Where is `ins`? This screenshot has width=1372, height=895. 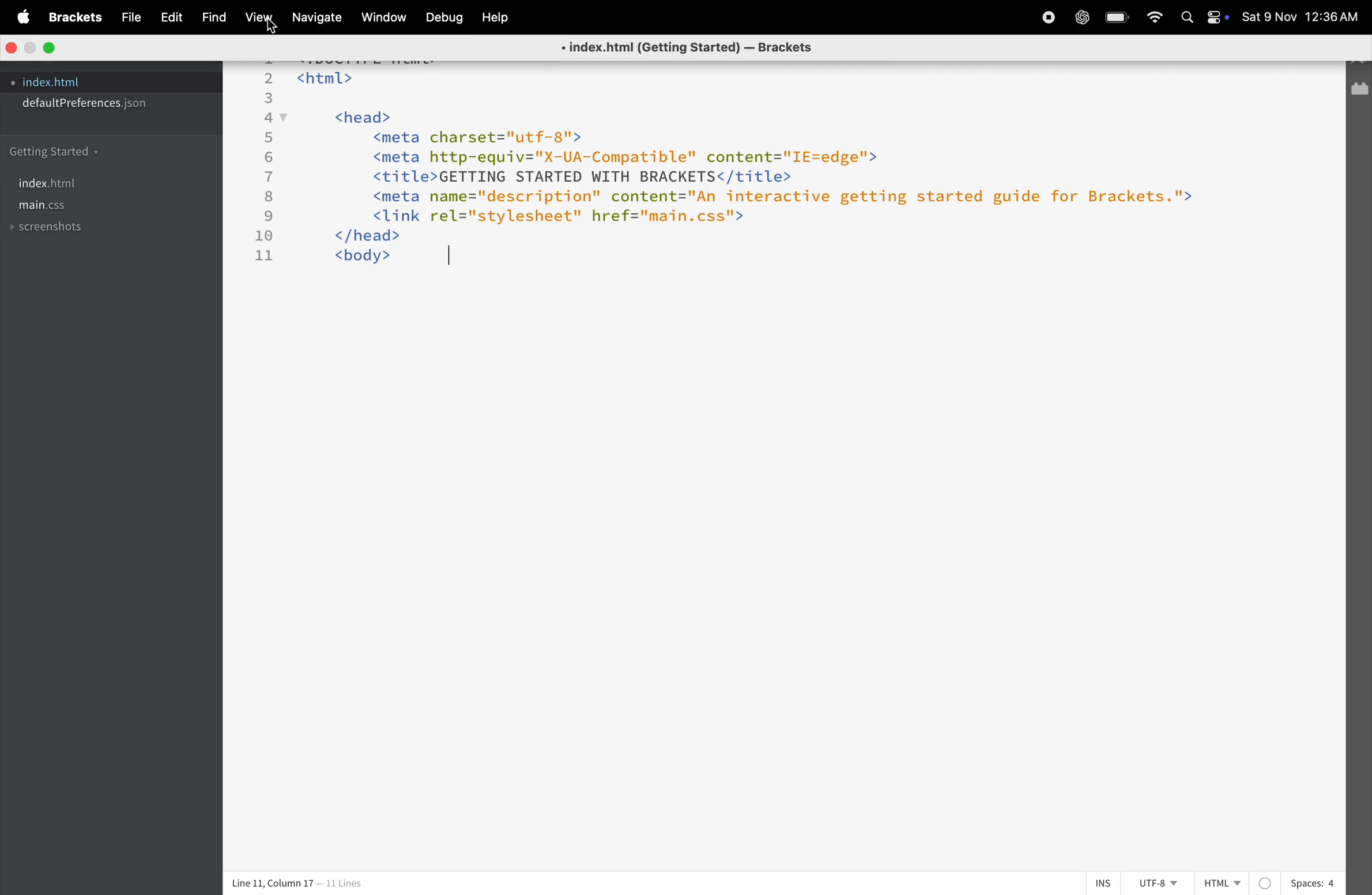
ins is located at coordinates (1105, 883).